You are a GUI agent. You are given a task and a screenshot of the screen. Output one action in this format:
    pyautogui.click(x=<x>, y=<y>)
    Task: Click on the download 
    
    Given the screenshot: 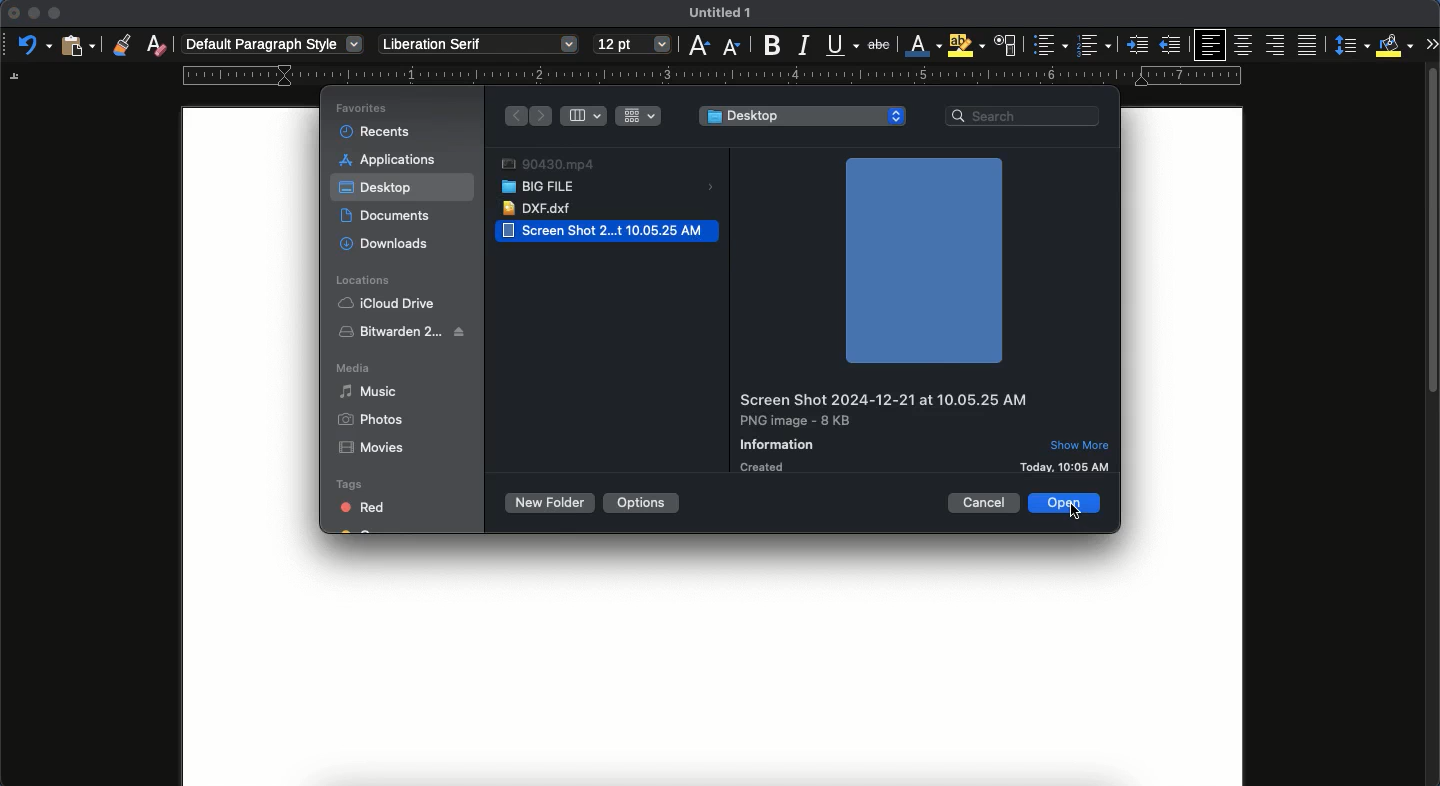 What is the action you would take?
    pyautogui.click(x=386, y=243)
    